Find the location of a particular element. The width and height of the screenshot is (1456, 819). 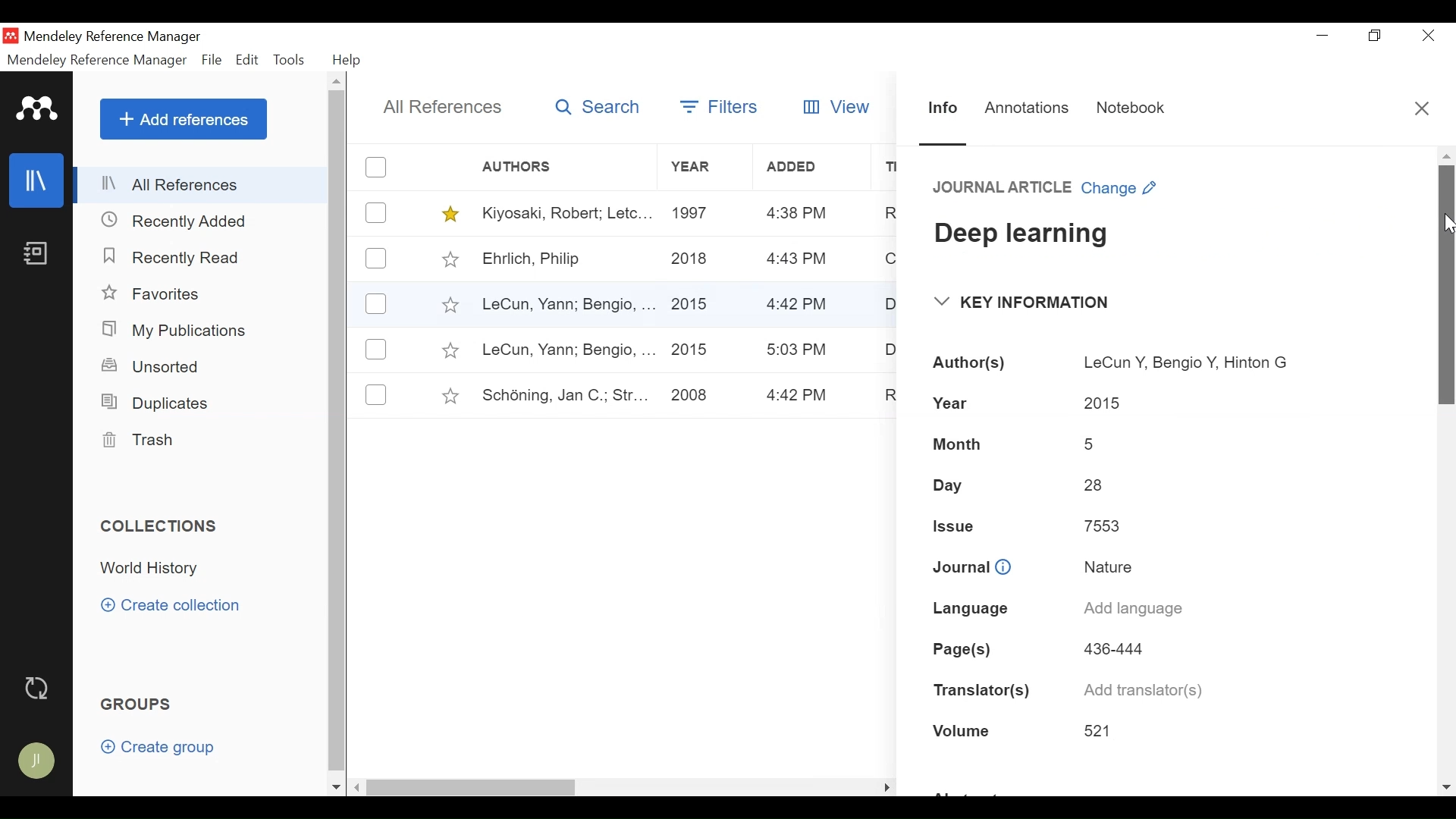

minimize is located at coordinates (1323, 35).